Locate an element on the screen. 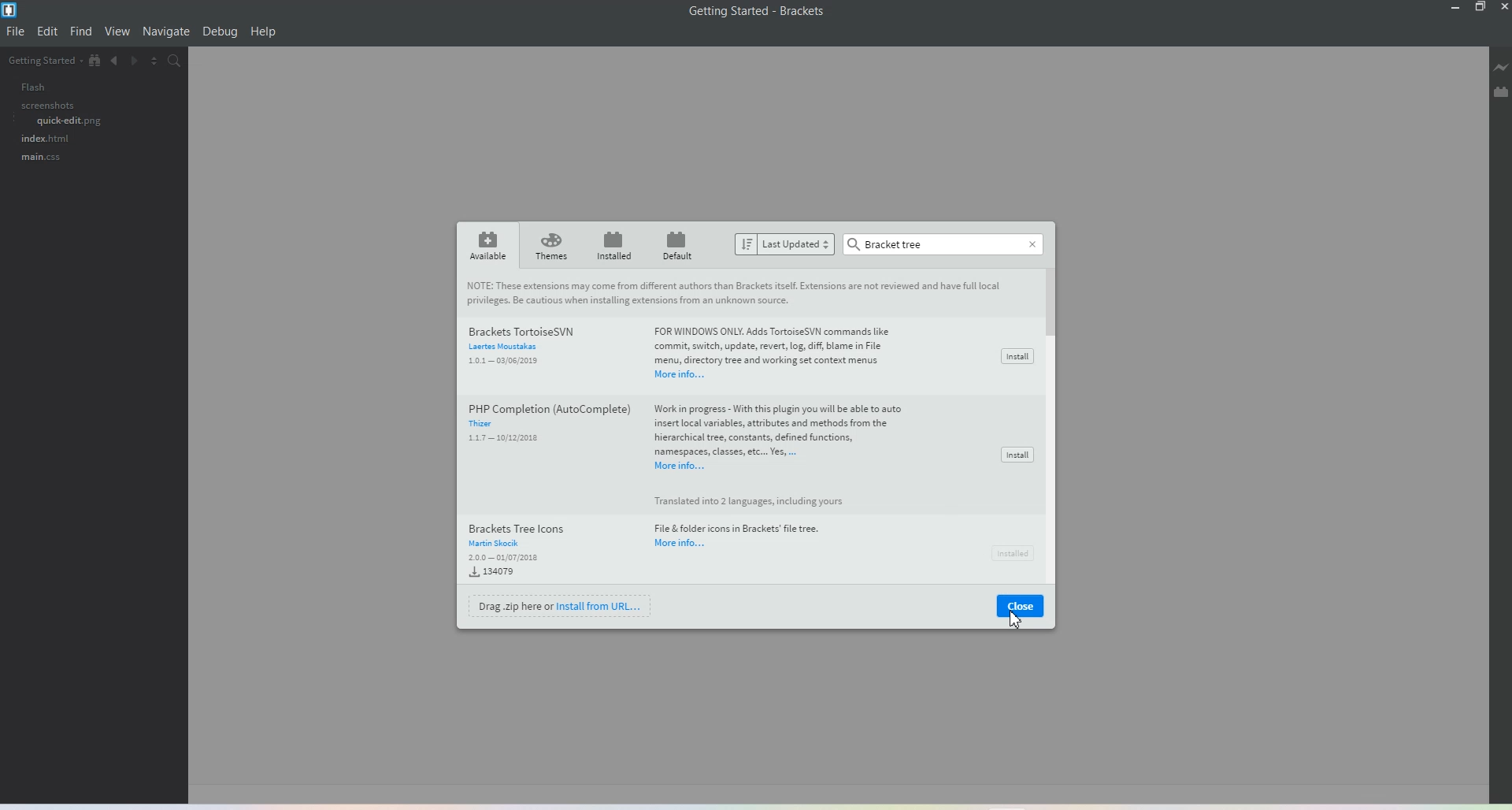  Live Preview is located at coordinates (1501, 69).